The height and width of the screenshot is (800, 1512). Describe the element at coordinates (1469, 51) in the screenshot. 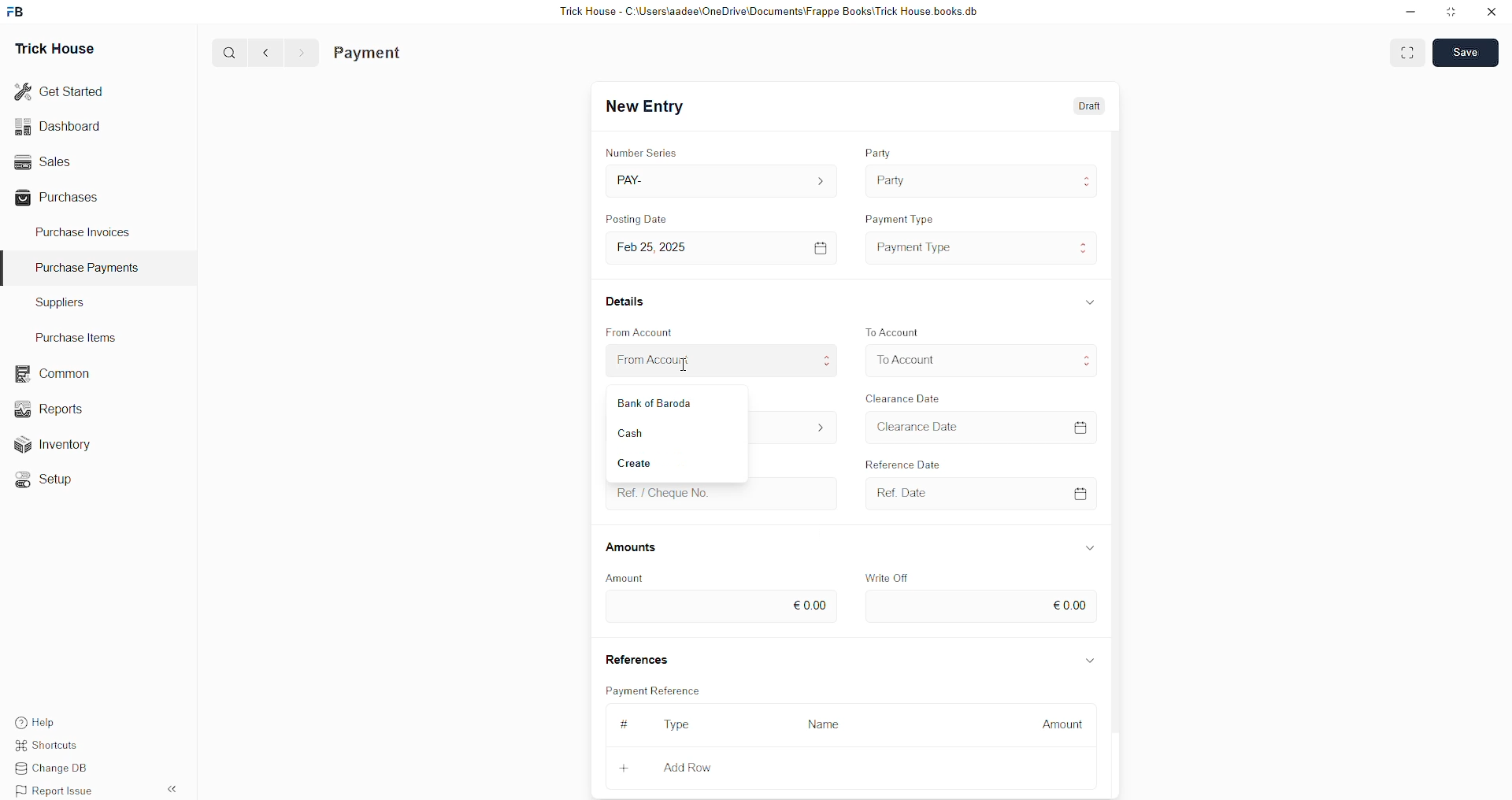

I see `SAVE` at that location.